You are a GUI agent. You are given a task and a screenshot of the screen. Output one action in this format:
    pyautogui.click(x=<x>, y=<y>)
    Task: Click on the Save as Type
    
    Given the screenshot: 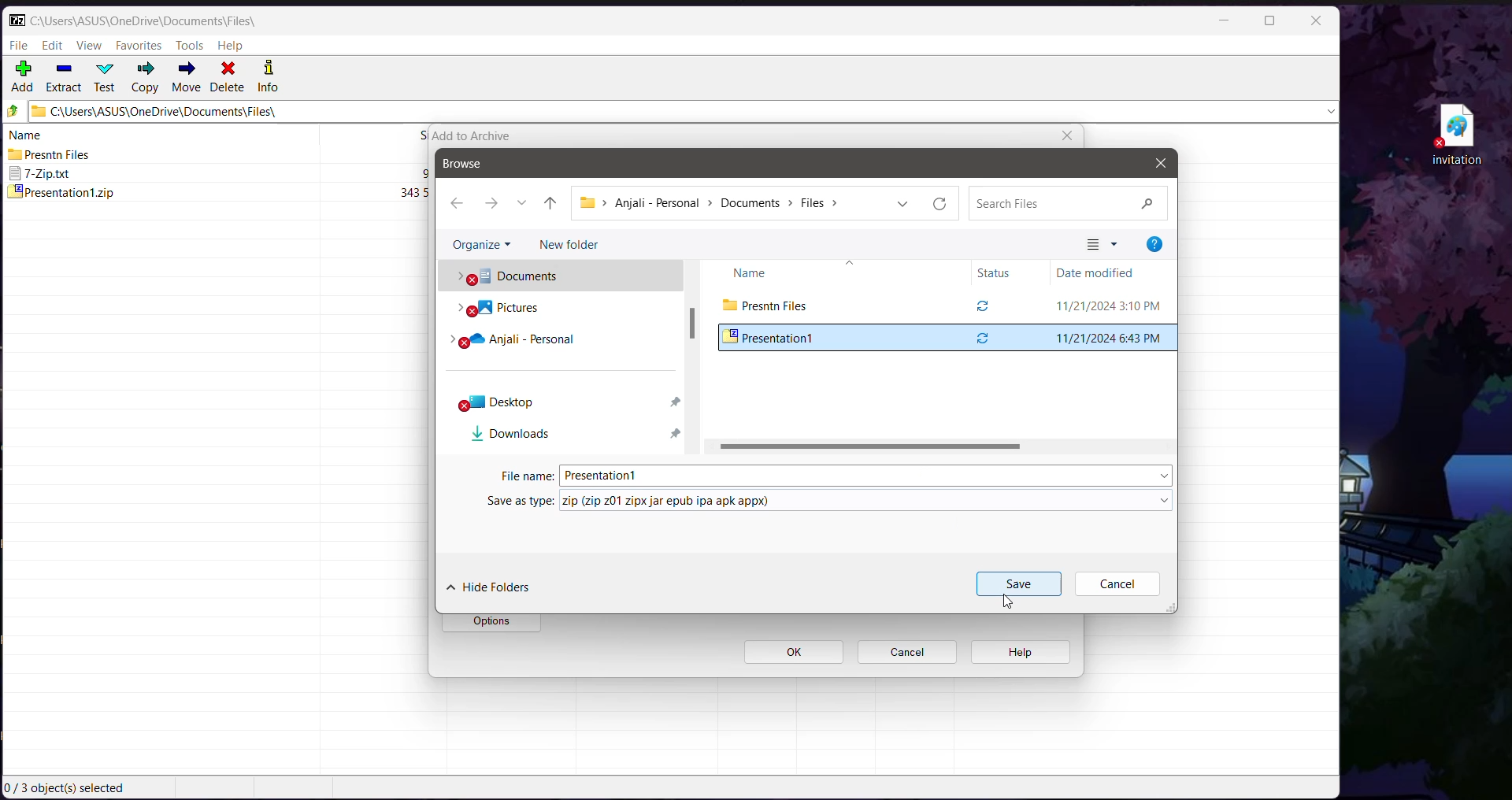 What is the action you would take?
    pyautogui.click(x=513, y=500)
    